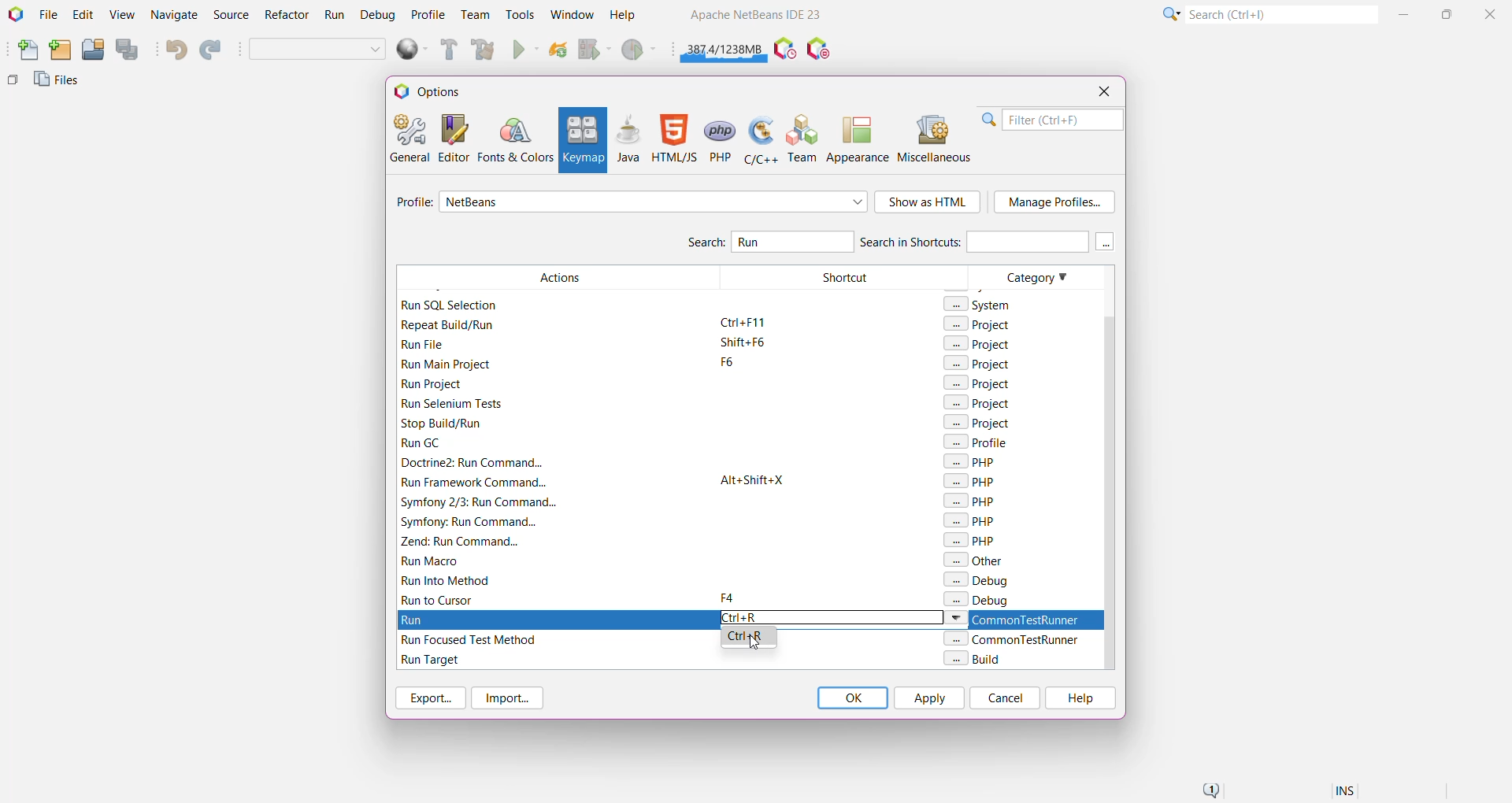  What do you see at coordinates (92, 50) in the screenshot?
I see `Open Project` at bounding box center [92, 50].